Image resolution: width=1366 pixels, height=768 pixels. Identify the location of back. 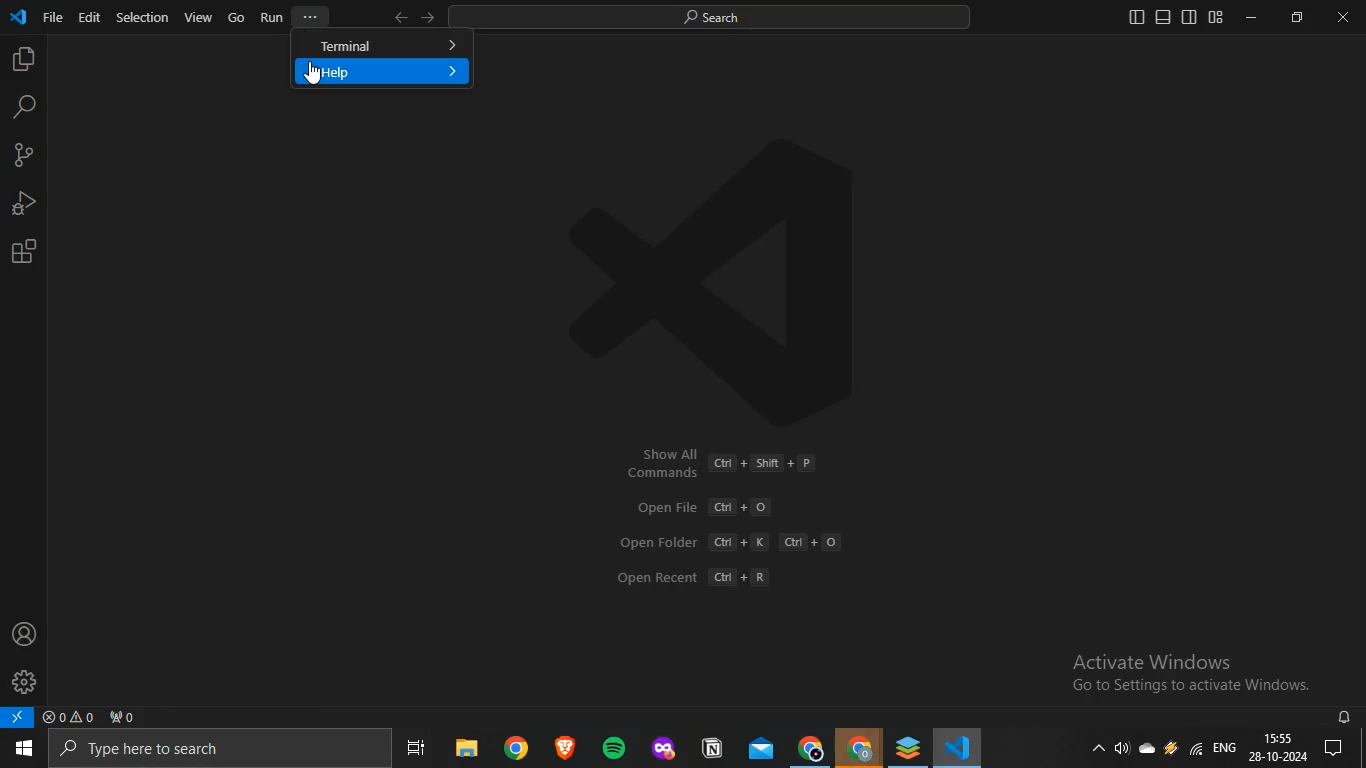
(399, 18).